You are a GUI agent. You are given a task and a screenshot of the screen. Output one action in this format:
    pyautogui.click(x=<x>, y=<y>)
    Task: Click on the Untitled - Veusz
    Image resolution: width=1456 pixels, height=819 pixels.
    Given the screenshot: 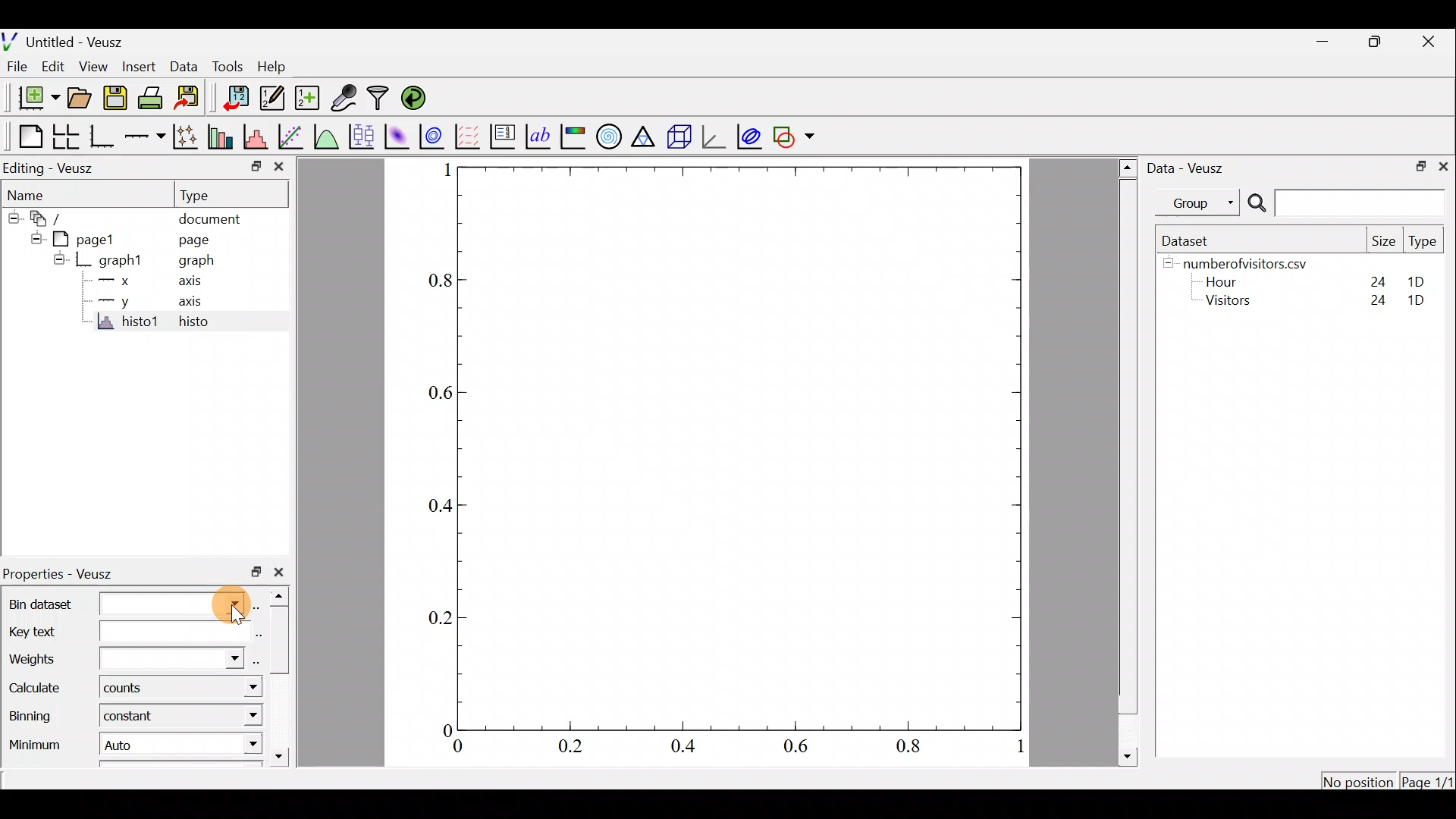 What is the action you would take?
    pyautogui.click(x=67, y=40)
    